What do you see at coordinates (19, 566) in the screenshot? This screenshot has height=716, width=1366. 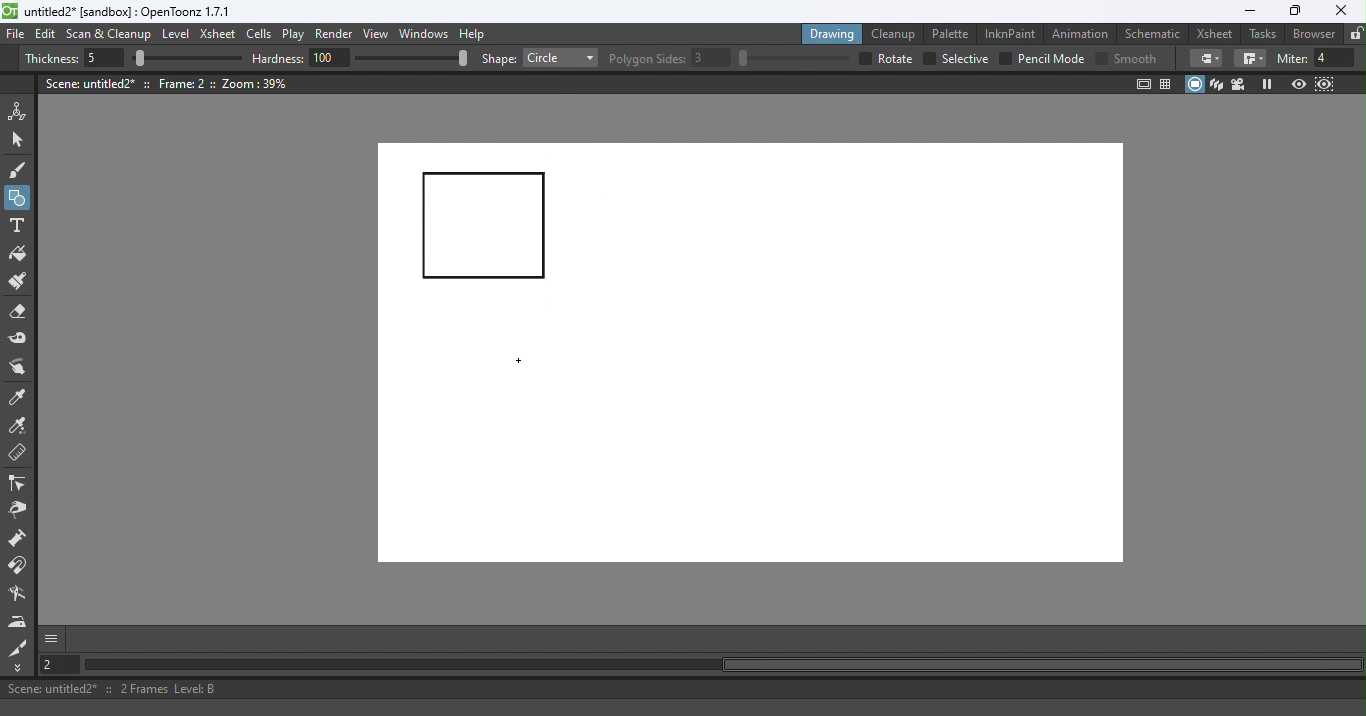 I see `Magnet tool` at bounding box center [19, 566].